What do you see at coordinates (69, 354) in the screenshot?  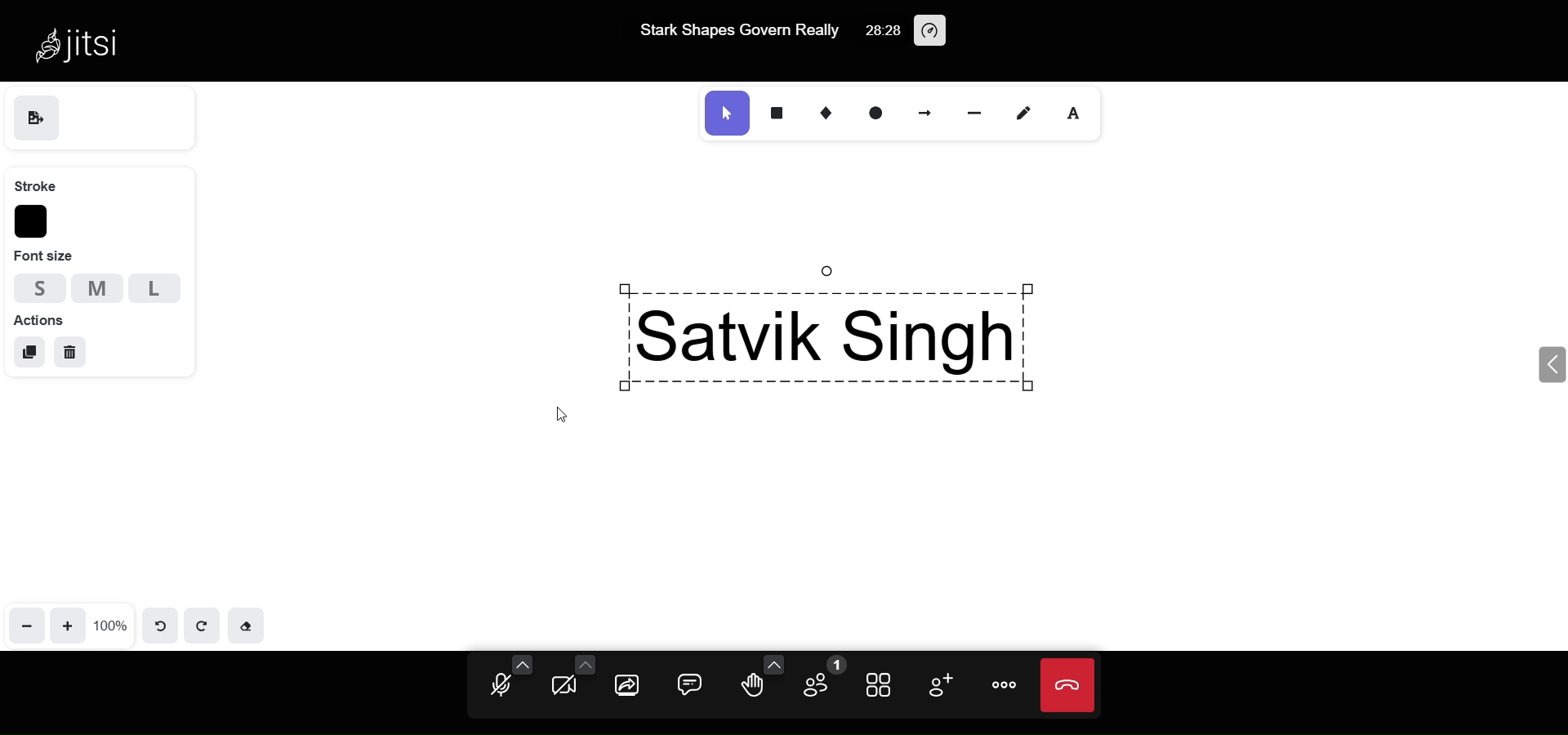 I see `delete` at bounding box center [69, 354].